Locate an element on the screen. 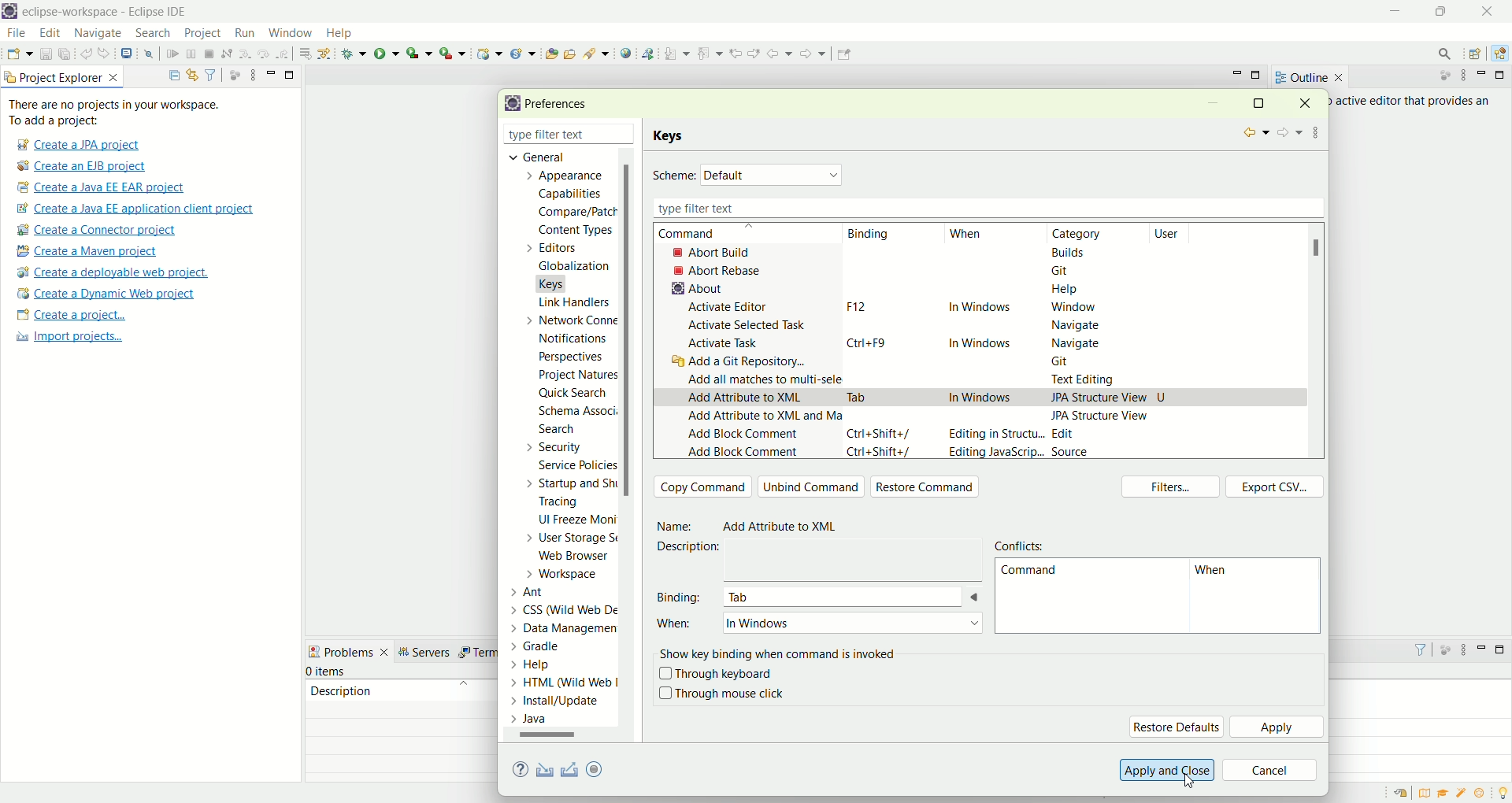  about is located at coordinates (693, 288).